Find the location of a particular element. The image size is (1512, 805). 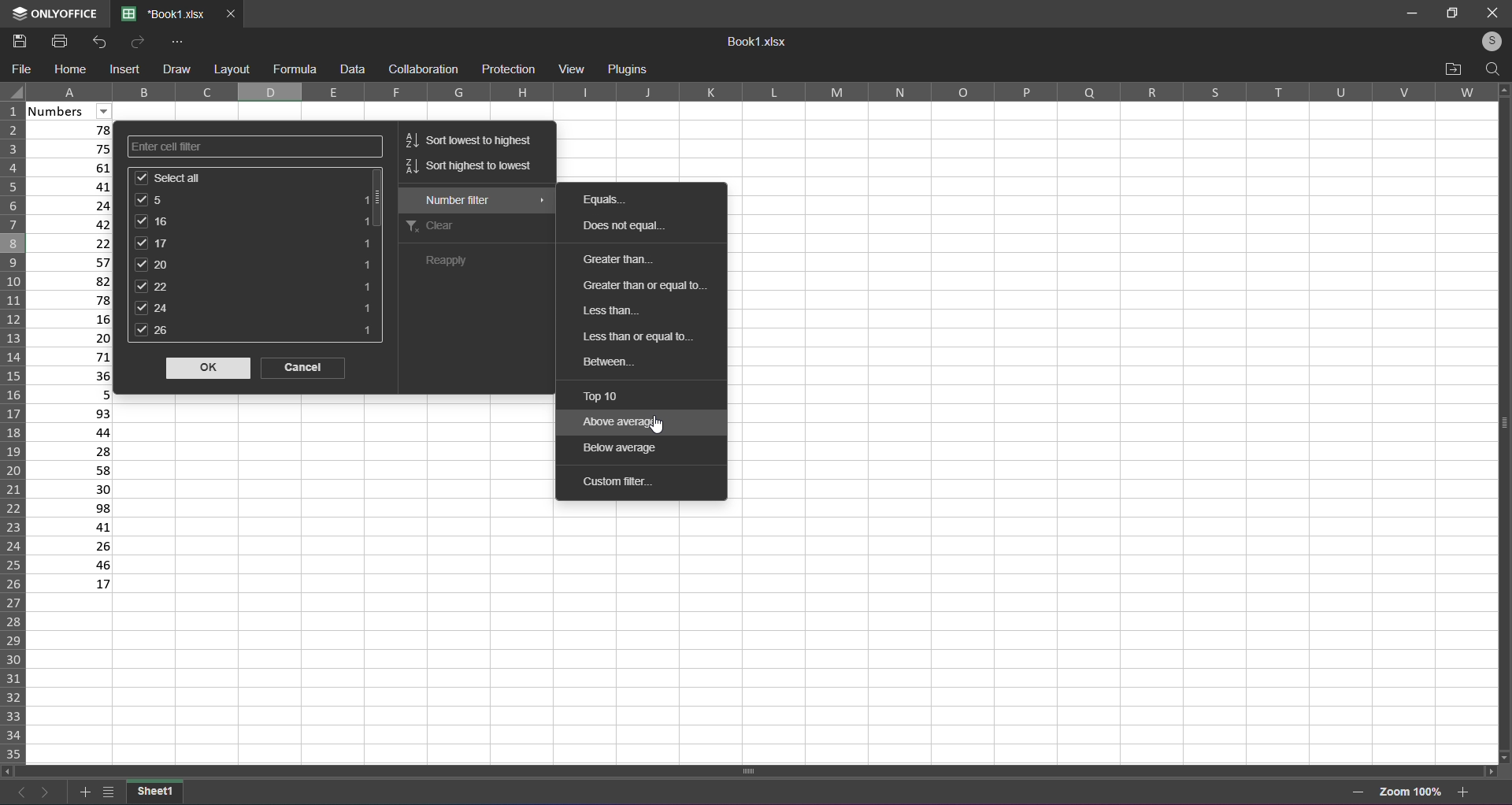

78 is located at coordinates (74, 299).